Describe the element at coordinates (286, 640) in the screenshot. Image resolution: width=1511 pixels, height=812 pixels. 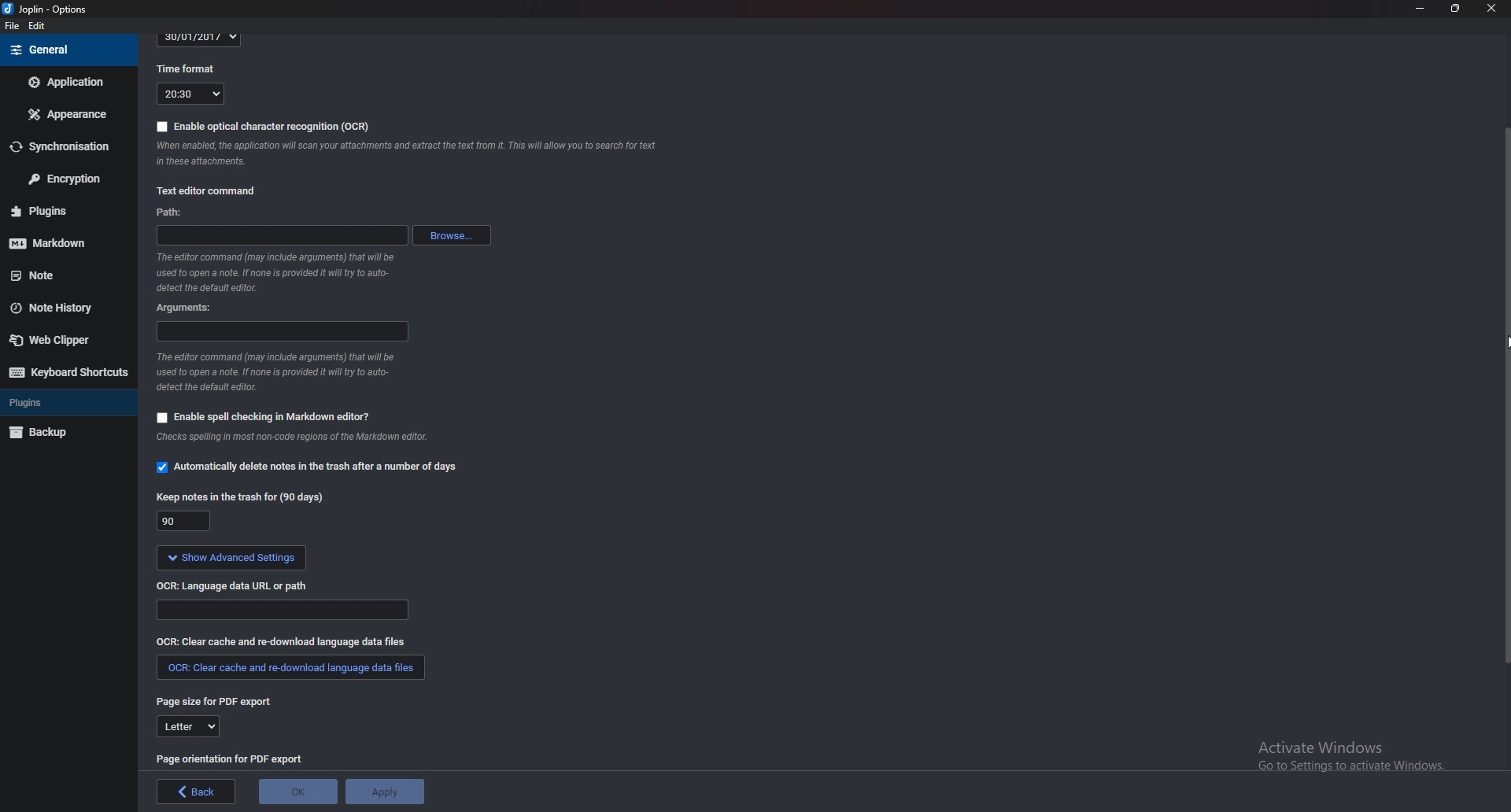
I see `Clear cache and redownload Language data` at that location.